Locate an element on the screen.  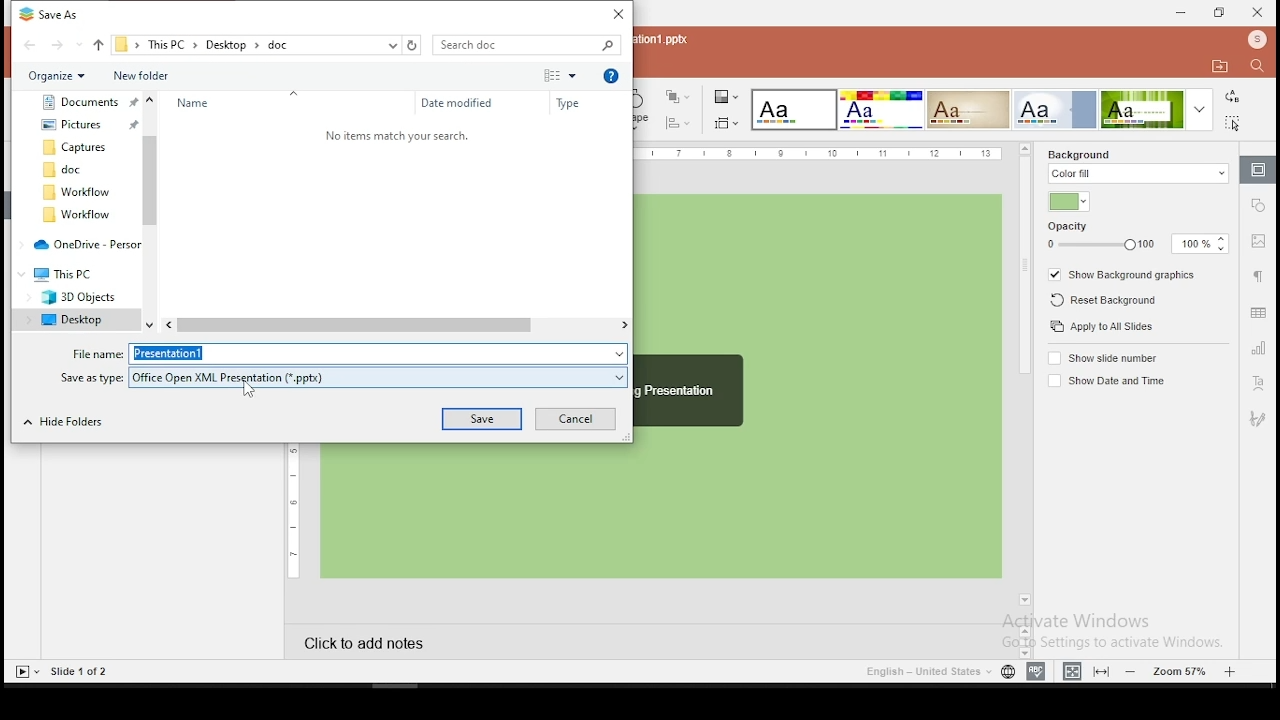
opacity slider is located at coordinates (1099, 245).